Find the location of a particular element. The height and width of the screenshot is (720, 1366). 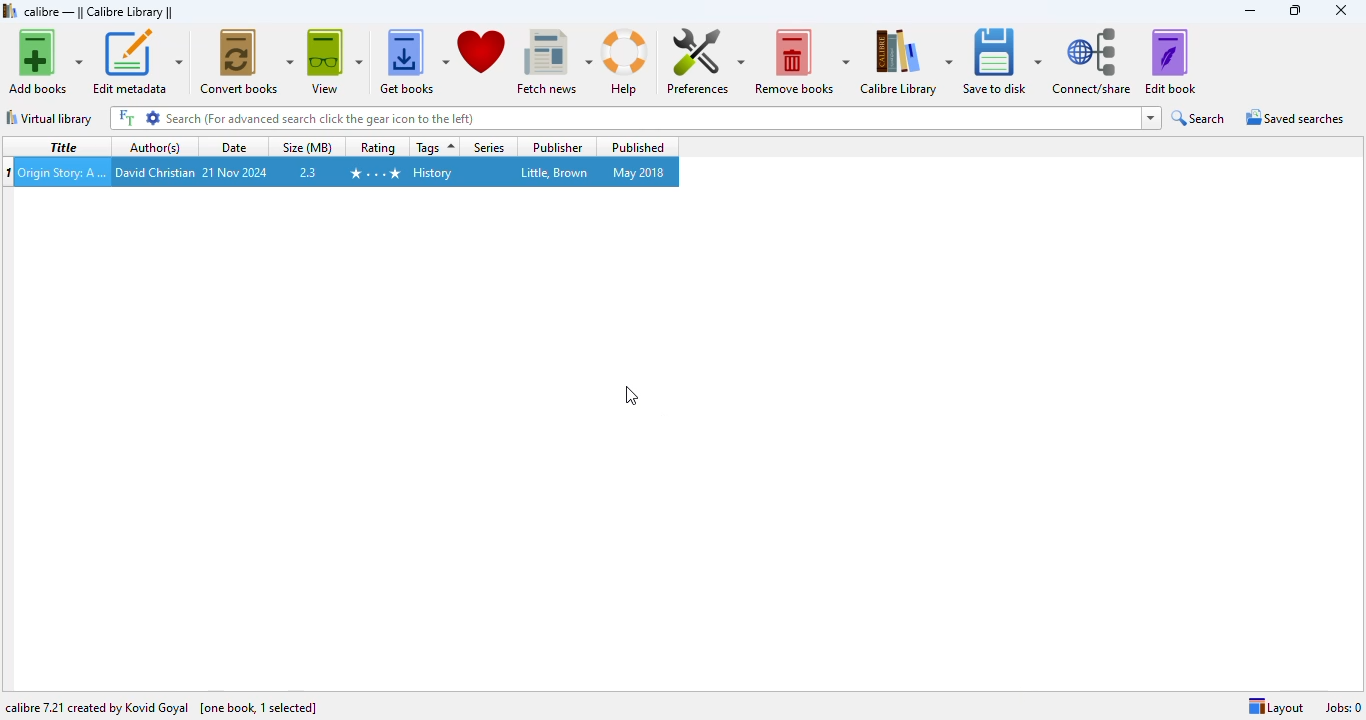

David Christian is located at coordinates (155, 172).